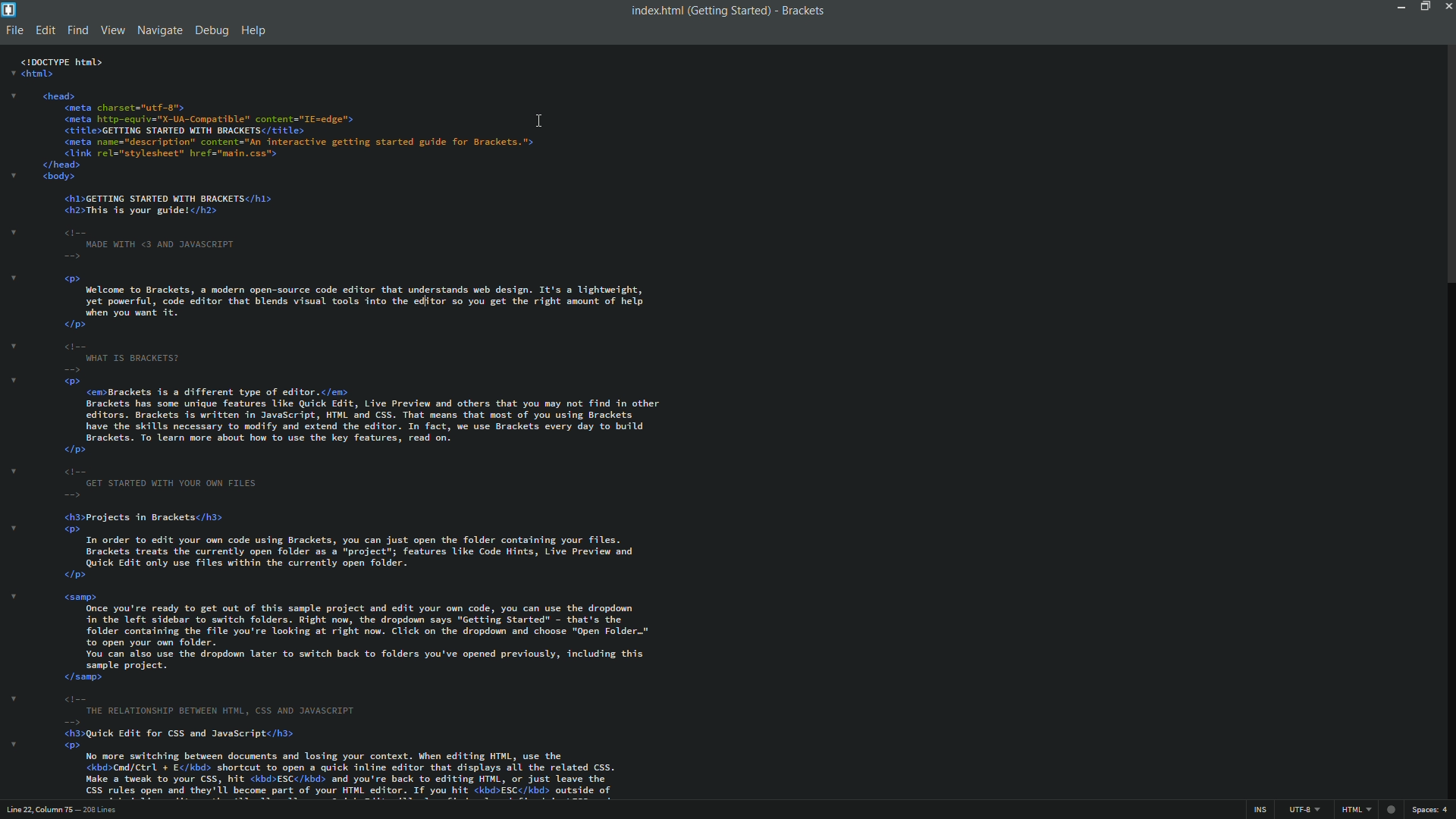  What do you see at coordinates (1302, 810) in the screenshot?
I see `UTF-8` at bounding box center [1302, 810].